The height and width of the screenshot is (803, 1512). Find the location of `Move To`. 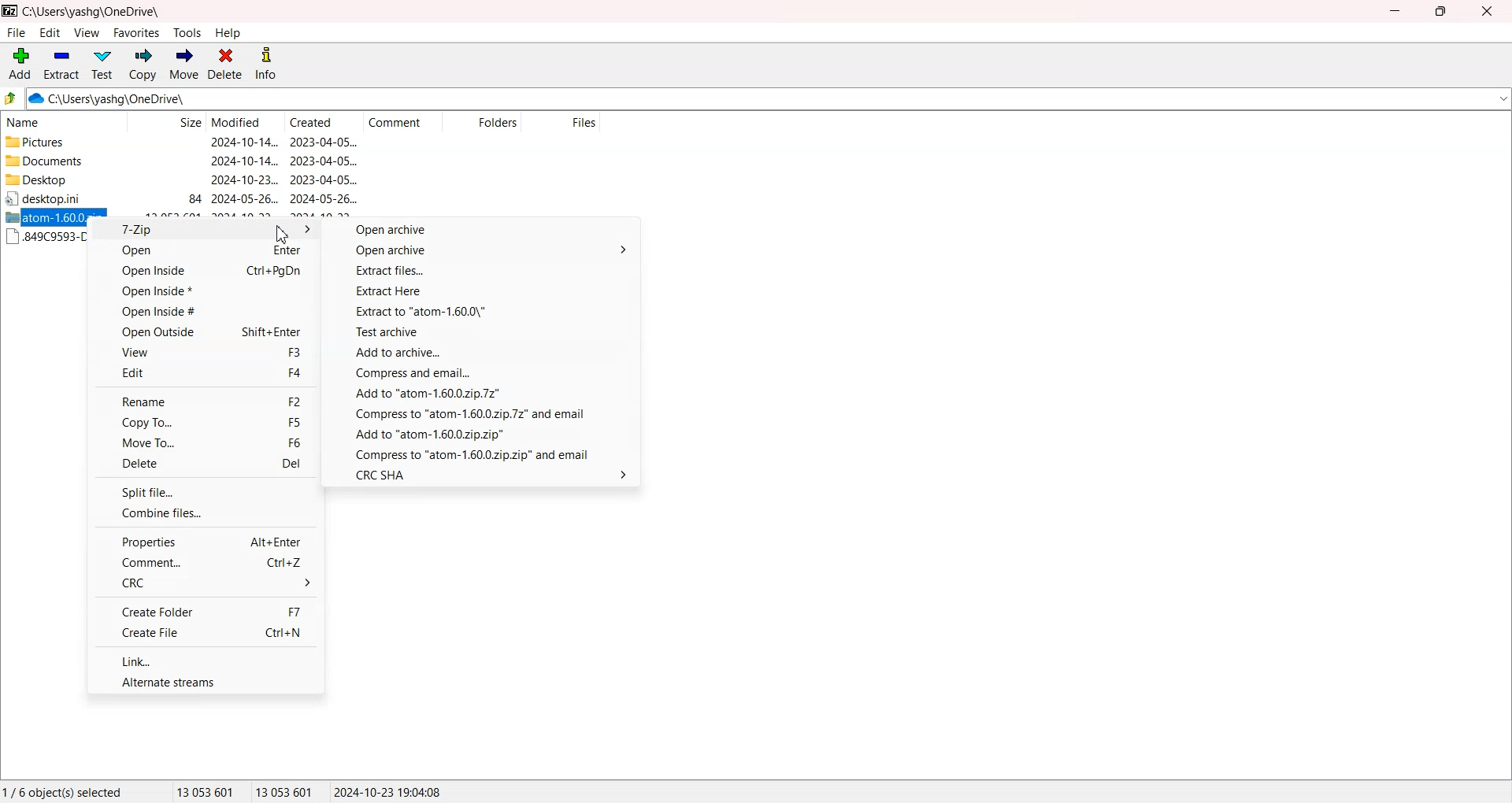

Move To is located at coordinates (205, 442).